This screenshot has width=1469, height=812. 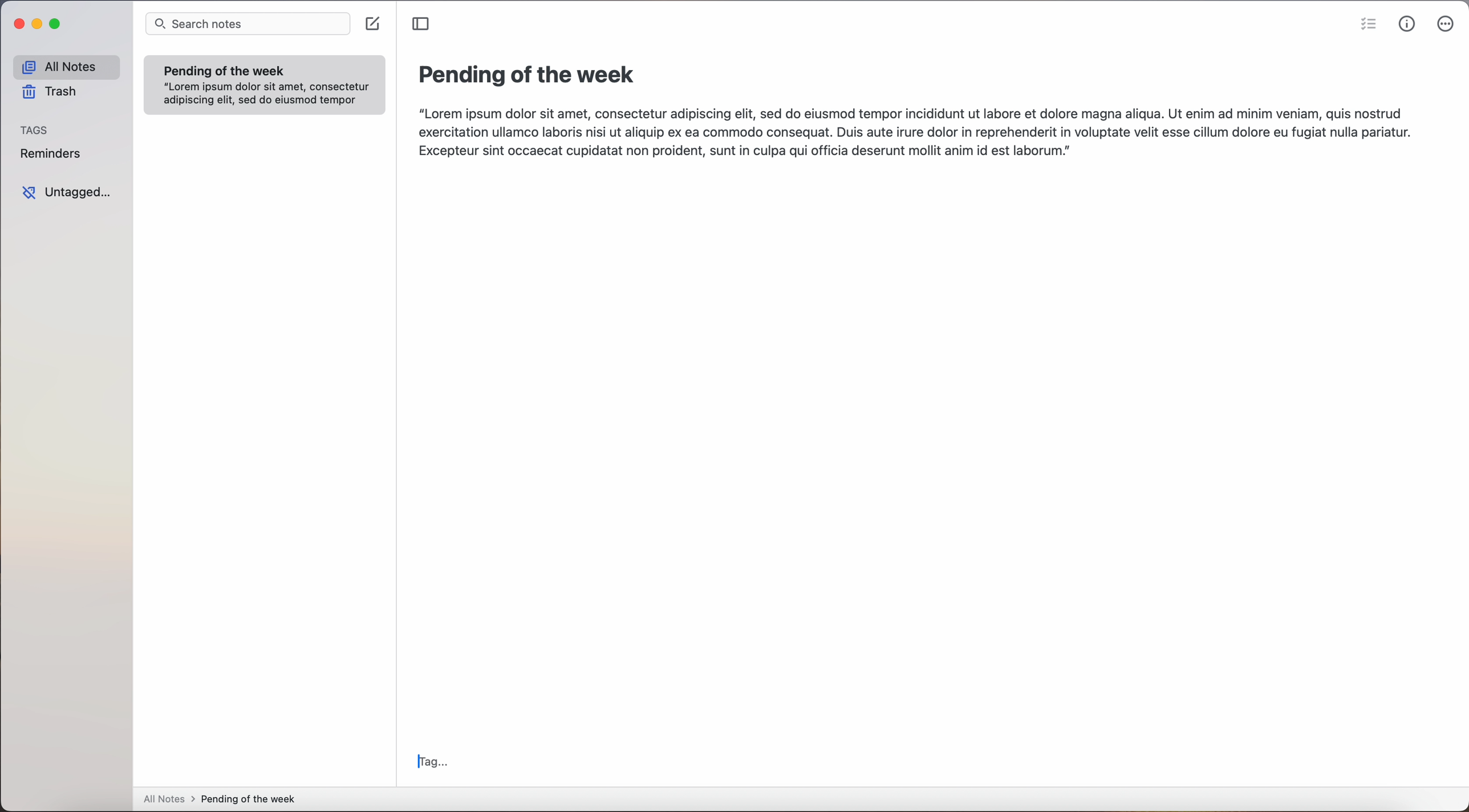 I want to click on reminders, so click(x=53, y=155).